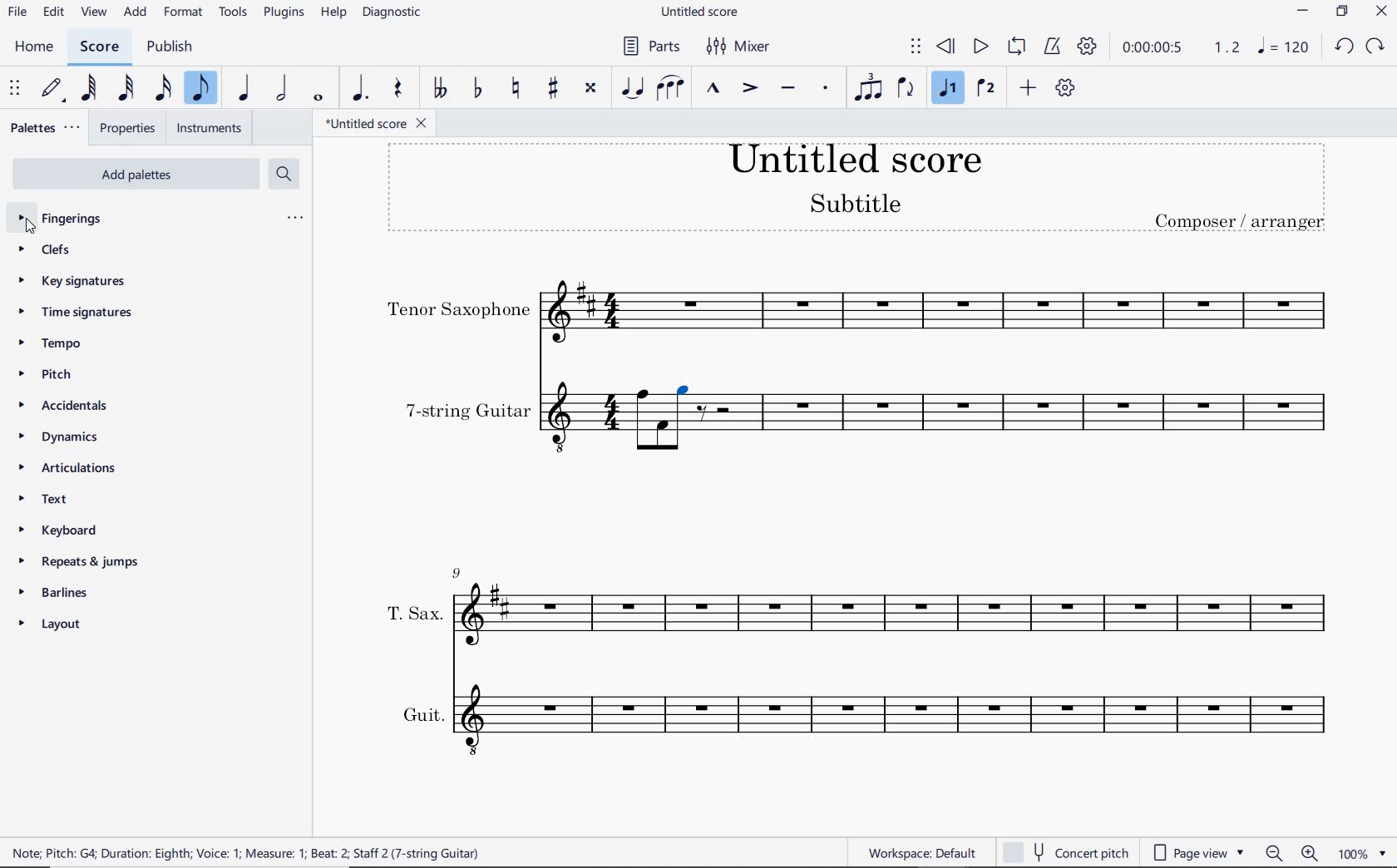 This screenshot has height=868, width=1397. What do you see at coordinates (51, 89) in the screenshot?
I see `DEFAULT (STEP TIME)` at bounding box center [51, 89].